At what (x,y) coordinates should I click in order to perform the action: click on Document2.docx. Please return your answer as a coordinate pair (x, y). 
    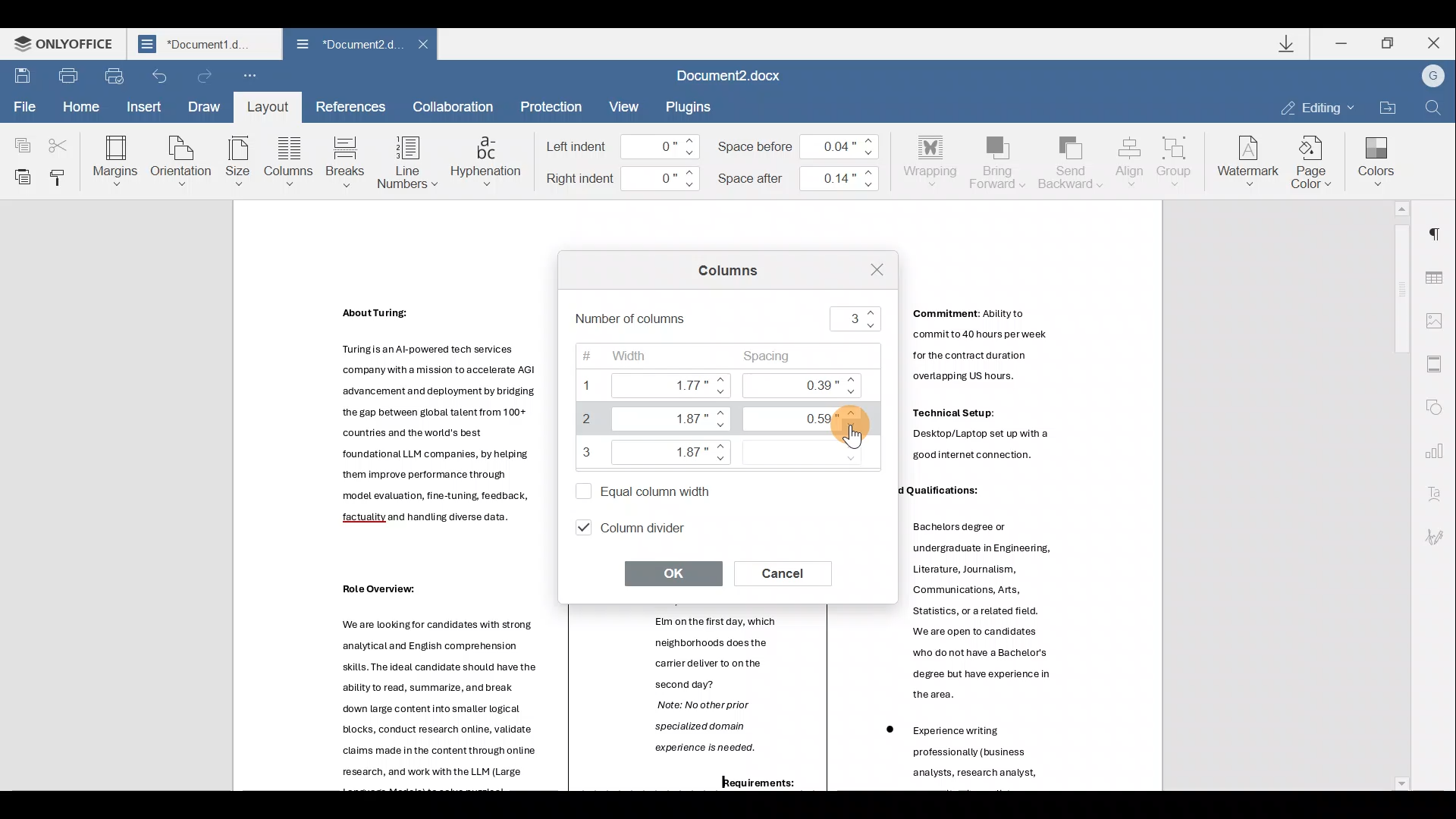
    Looking at the image, I should click on (739, 77).